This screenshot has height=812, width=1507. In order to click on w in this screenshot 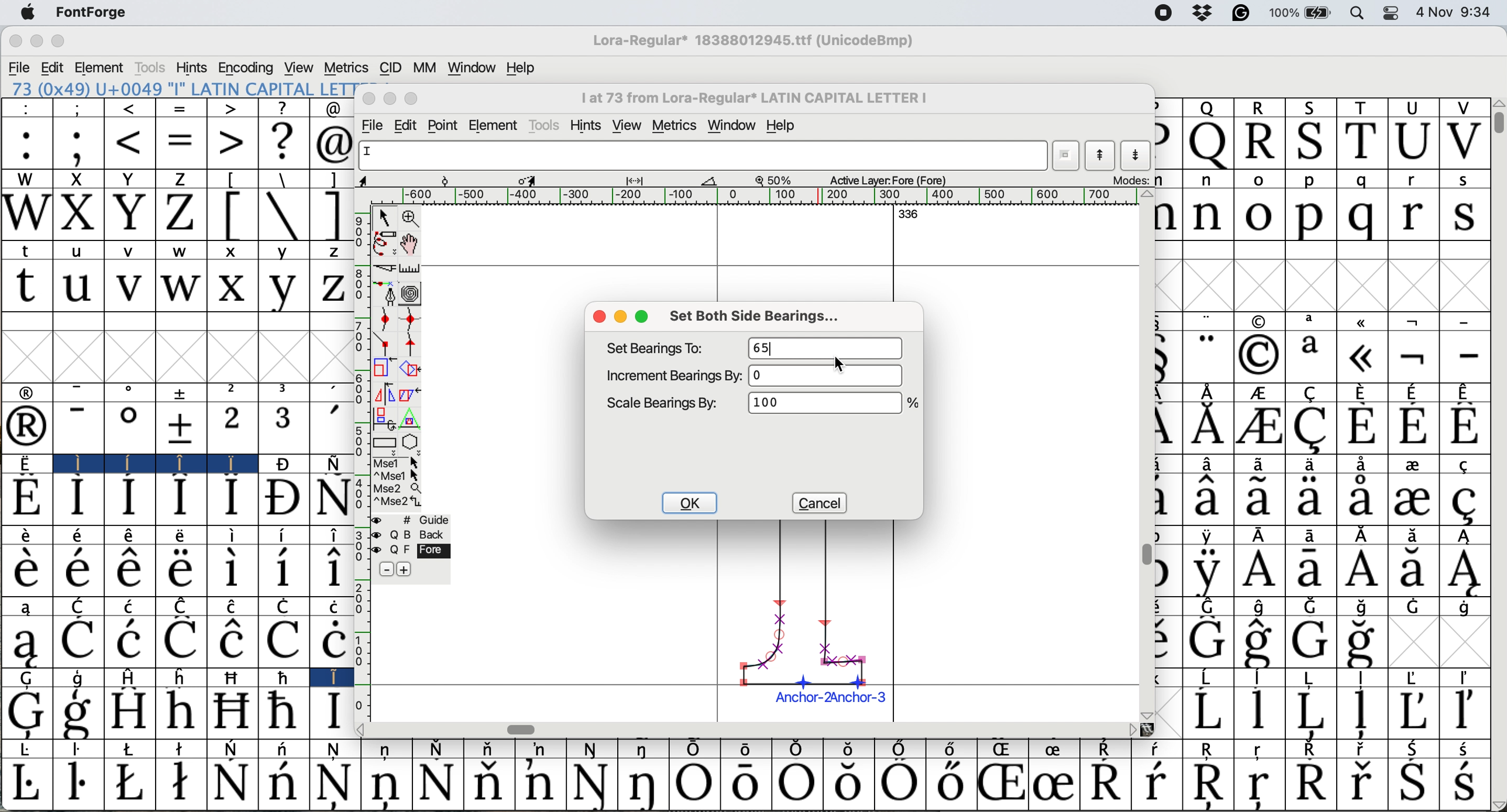, I will do `click(182, 288)`.